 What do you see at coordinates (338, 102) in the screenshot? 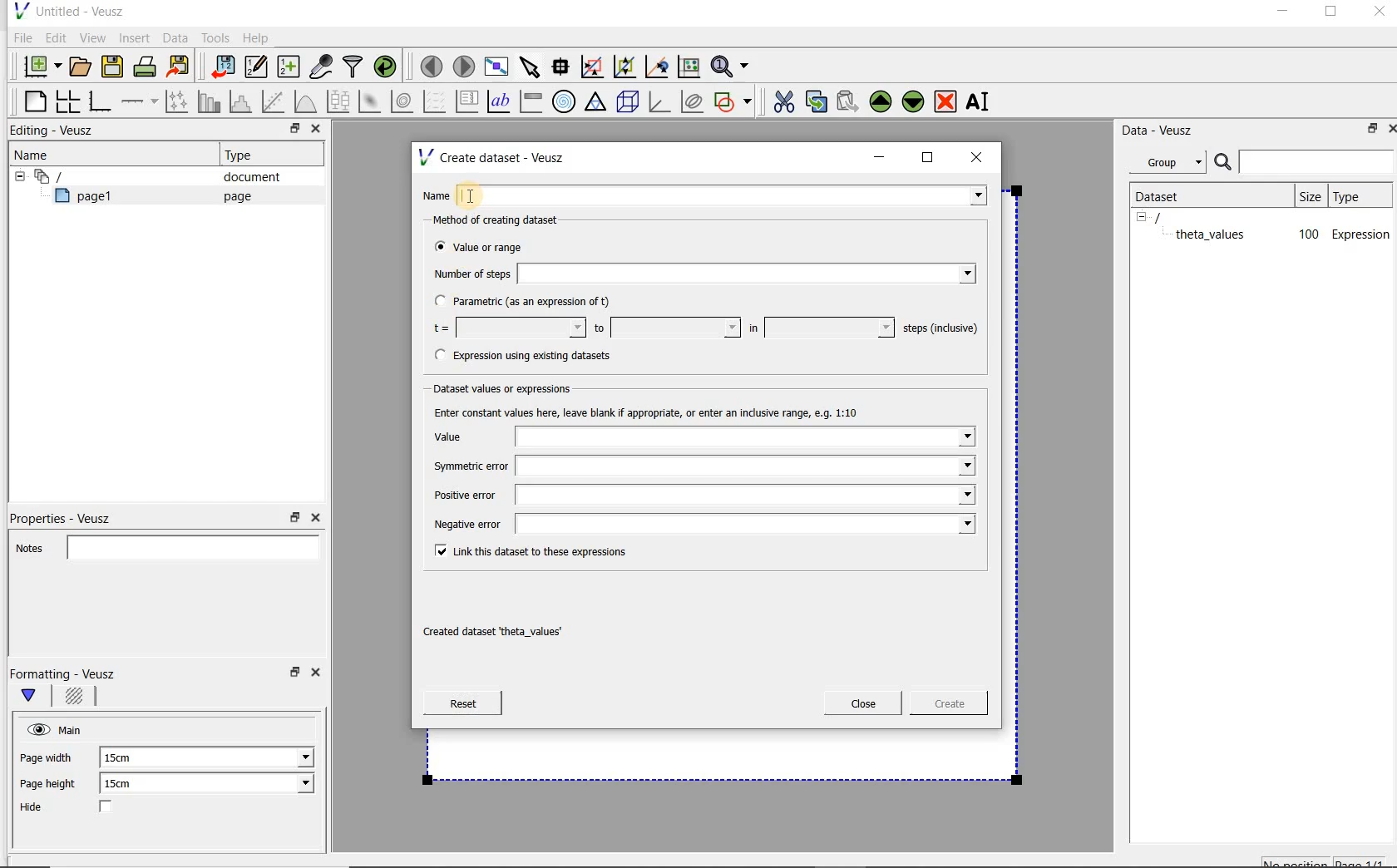
I see `plot box plots` at bounding box center [338, 102].